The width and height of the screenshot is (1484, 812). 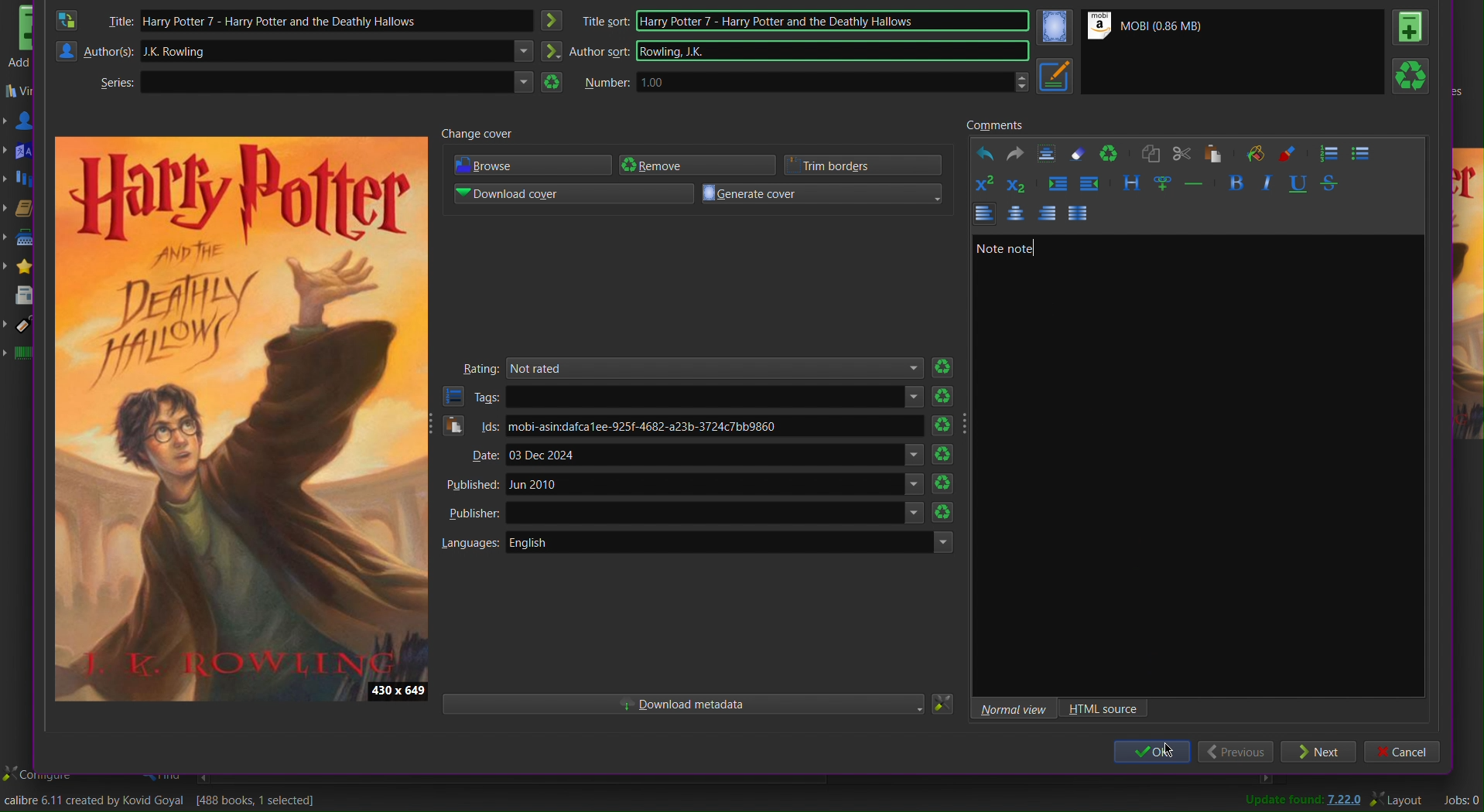 I want to click on Not rated, so click(x=718, y=367).